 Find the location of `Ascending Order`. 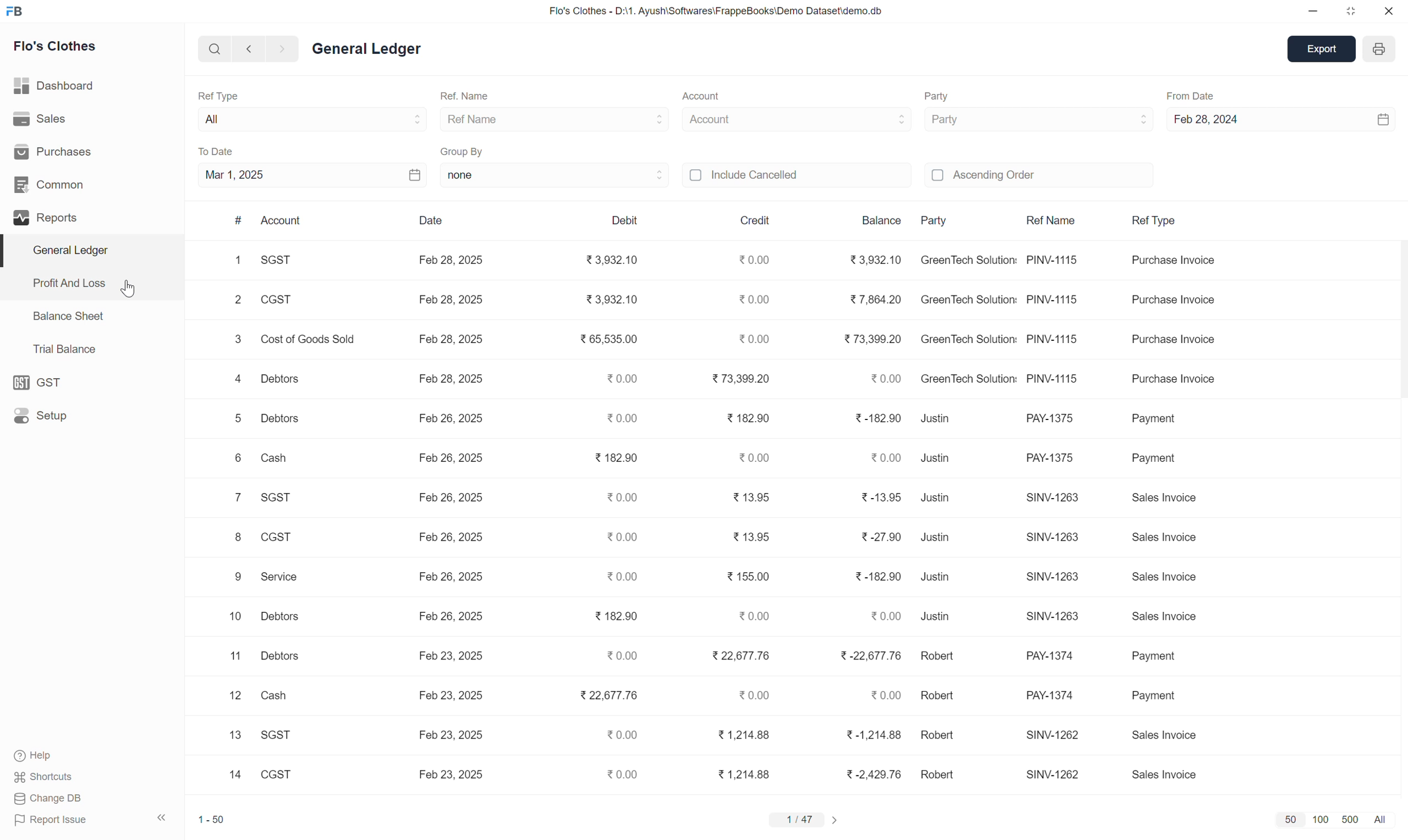

Ascending Order is located at coordinates (1003, 177).